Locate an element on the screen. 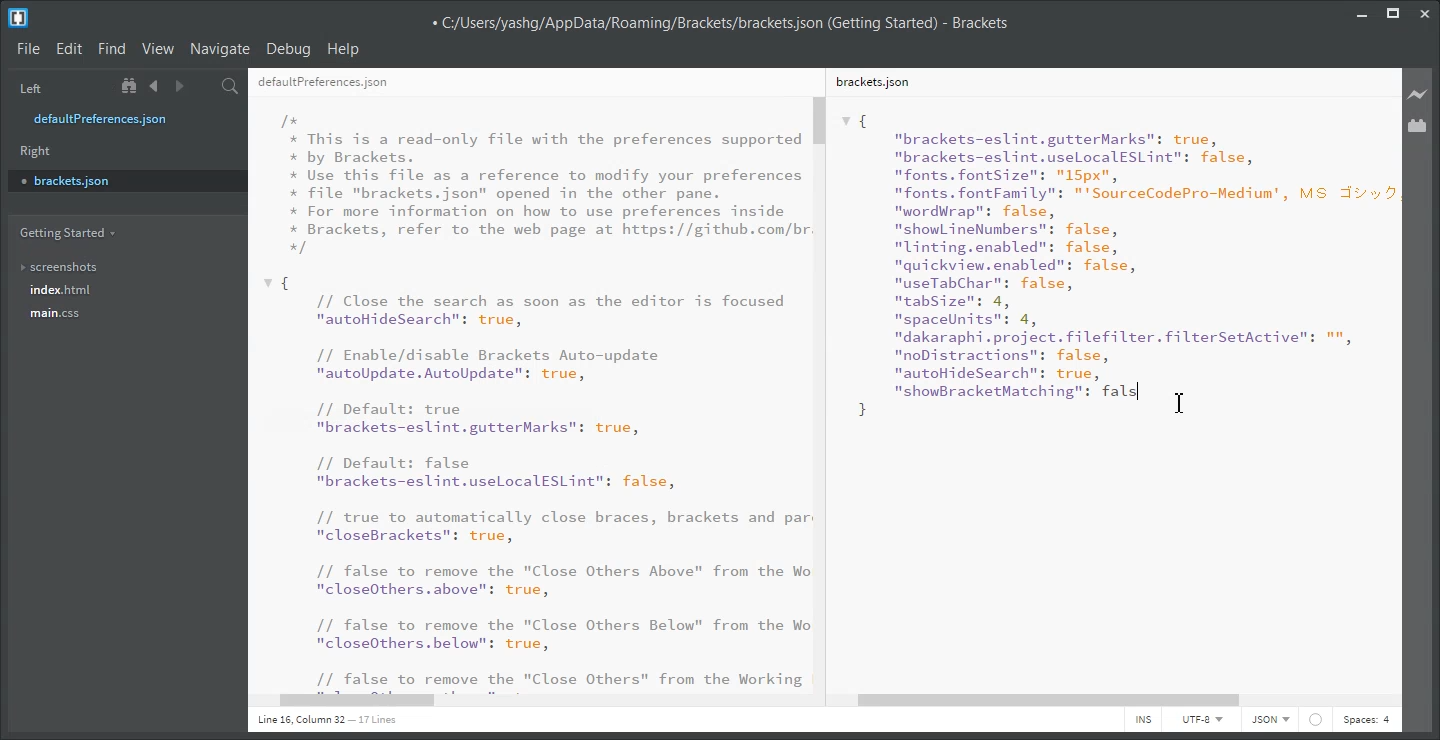 The height and width of the screenshot is (740, 1440). Maximize is located at coordinates (1393, 11).